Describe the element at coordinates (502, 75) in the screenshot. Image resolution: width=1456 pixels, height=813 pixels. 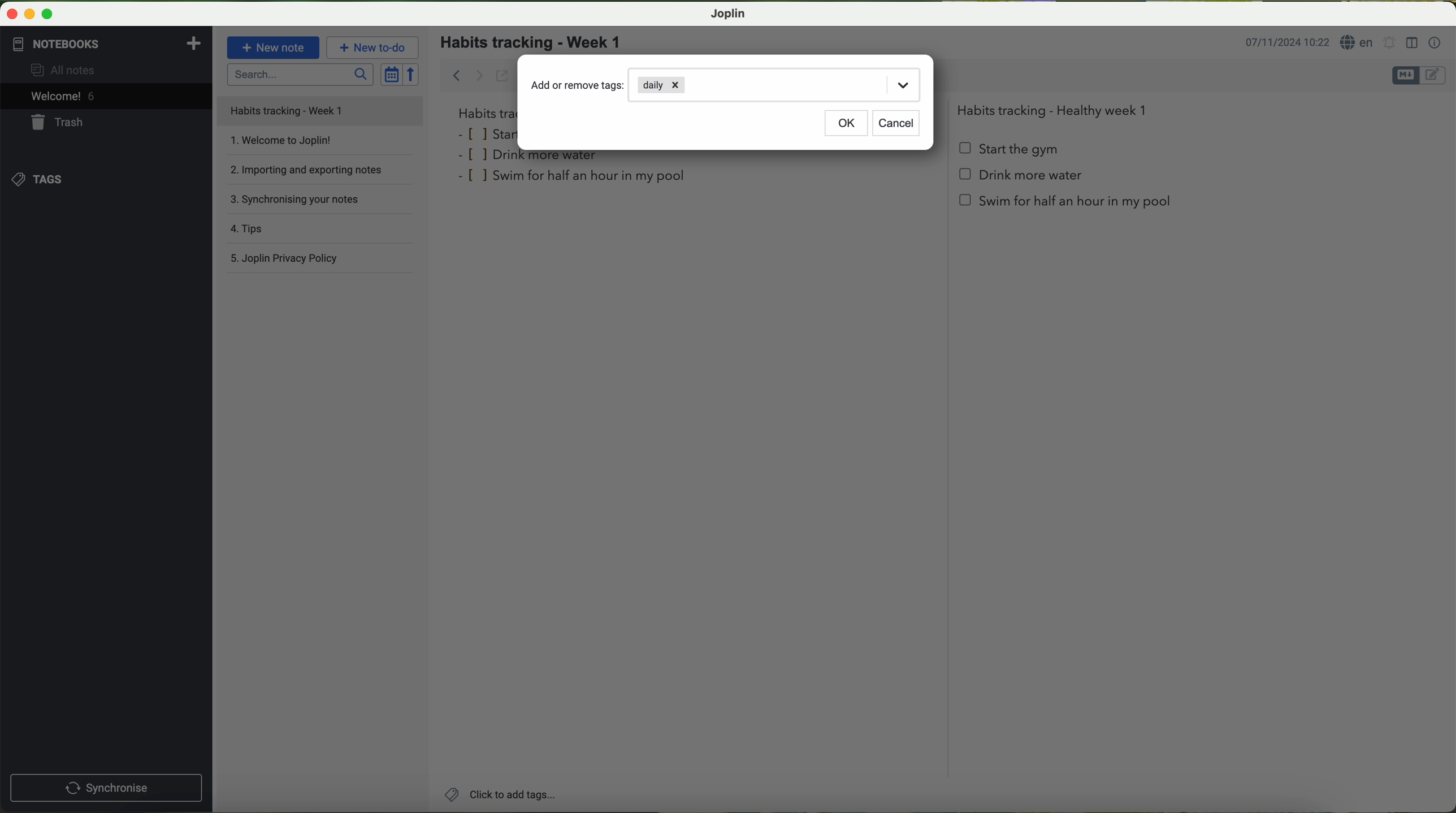
I see `toggle external editing` at that location.